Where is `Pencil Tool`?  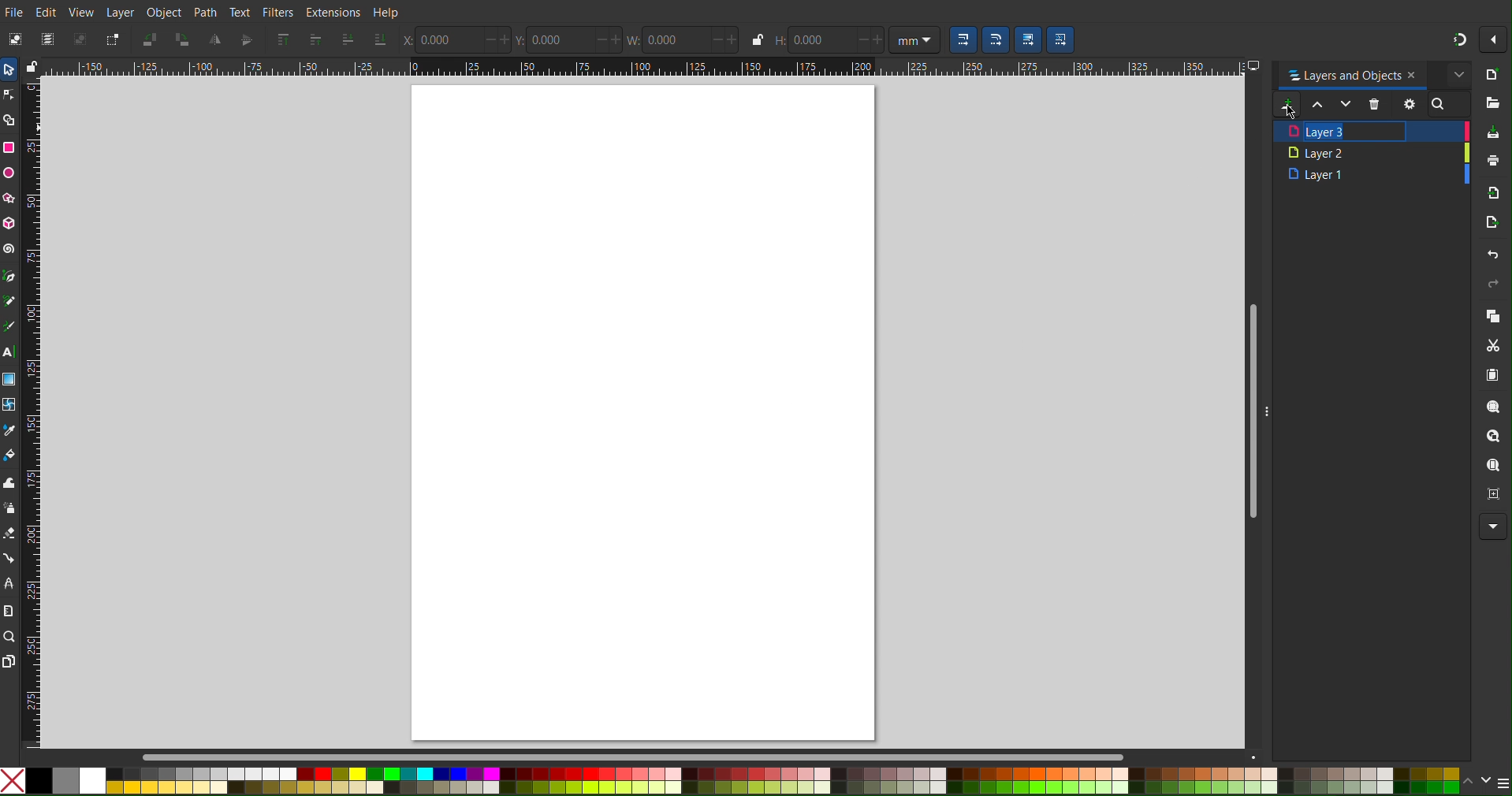
Pencil Tool is located at coordinates (11, 301).